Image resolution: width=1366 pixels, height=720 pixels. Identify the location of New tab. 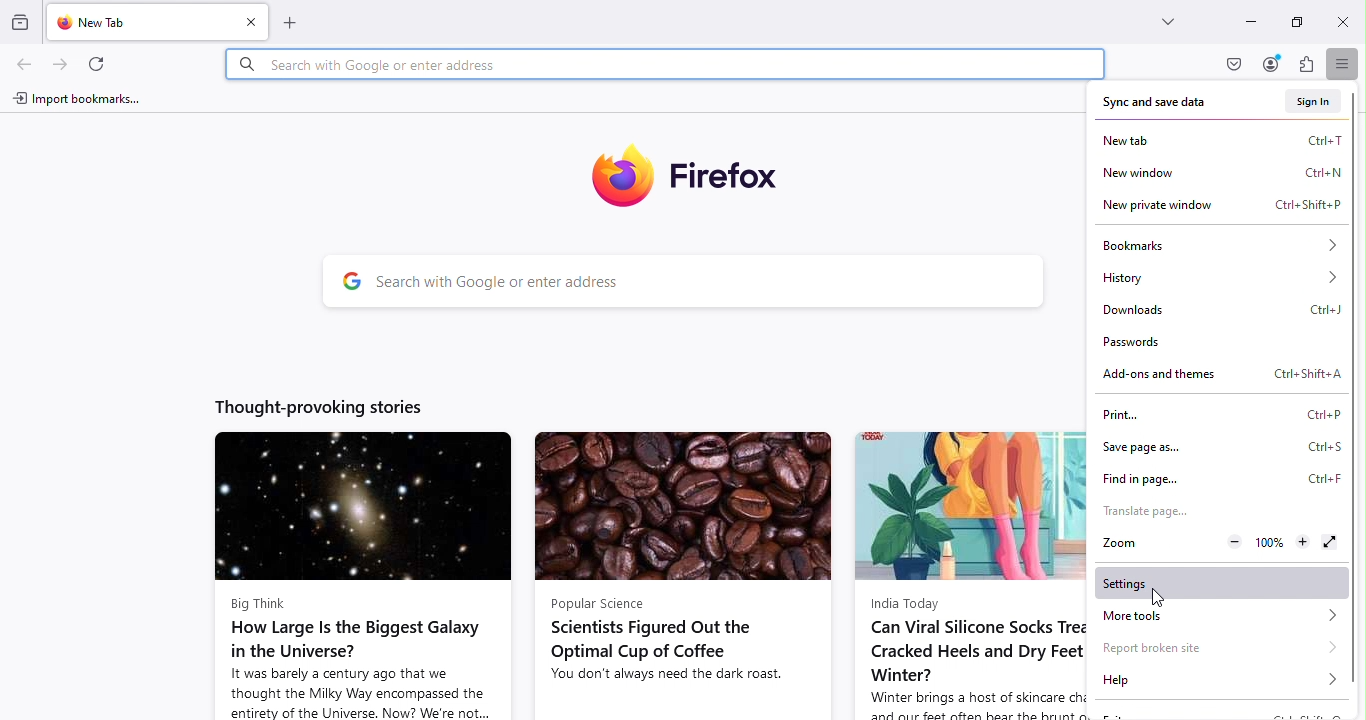
(1224, 140).